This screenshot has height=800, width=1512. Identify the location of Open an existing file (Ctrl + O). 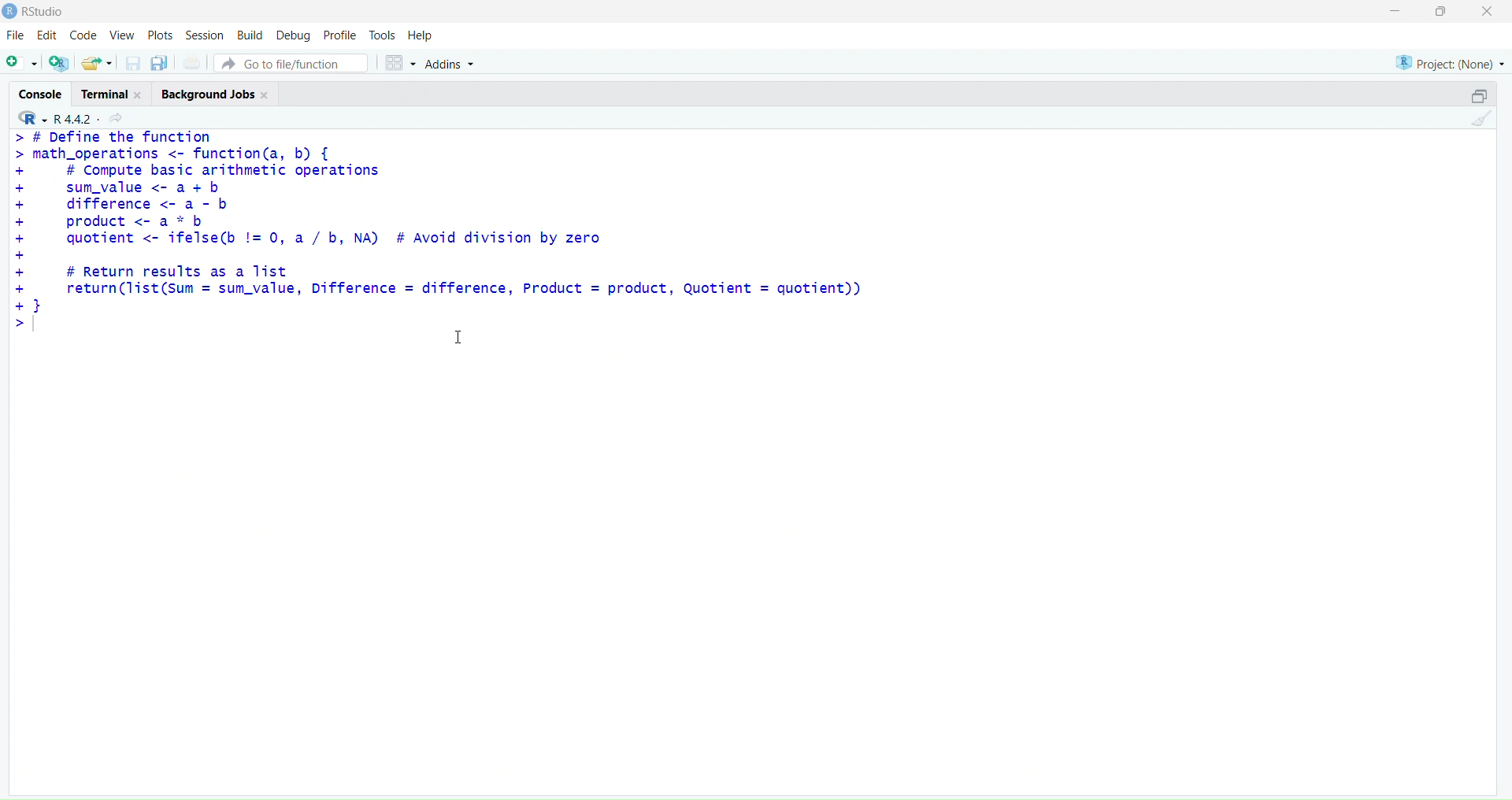
(96, 63).